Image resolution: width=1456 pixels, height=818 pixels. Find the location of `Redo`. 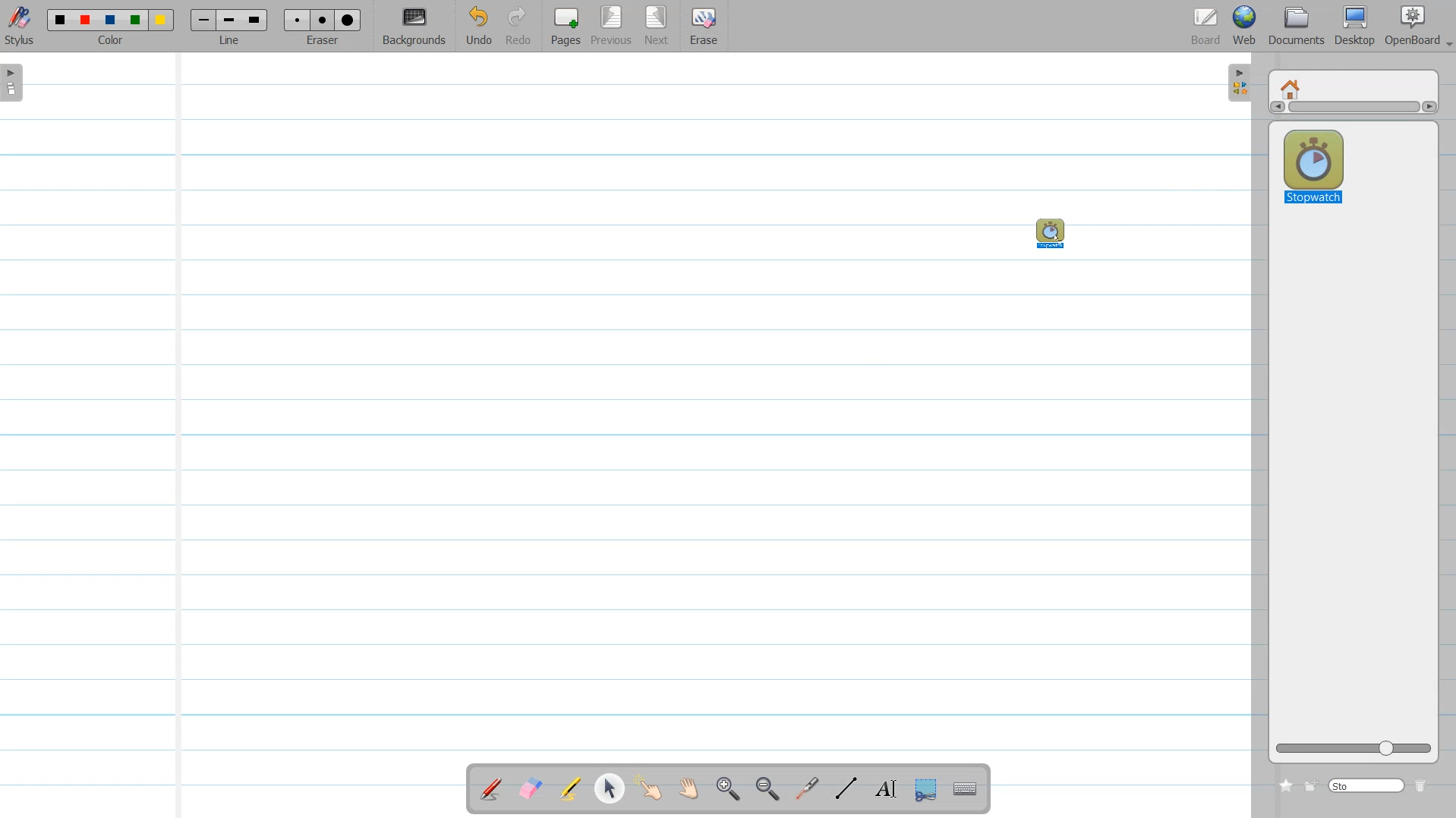

Redo is located at coordinates (519, 27).